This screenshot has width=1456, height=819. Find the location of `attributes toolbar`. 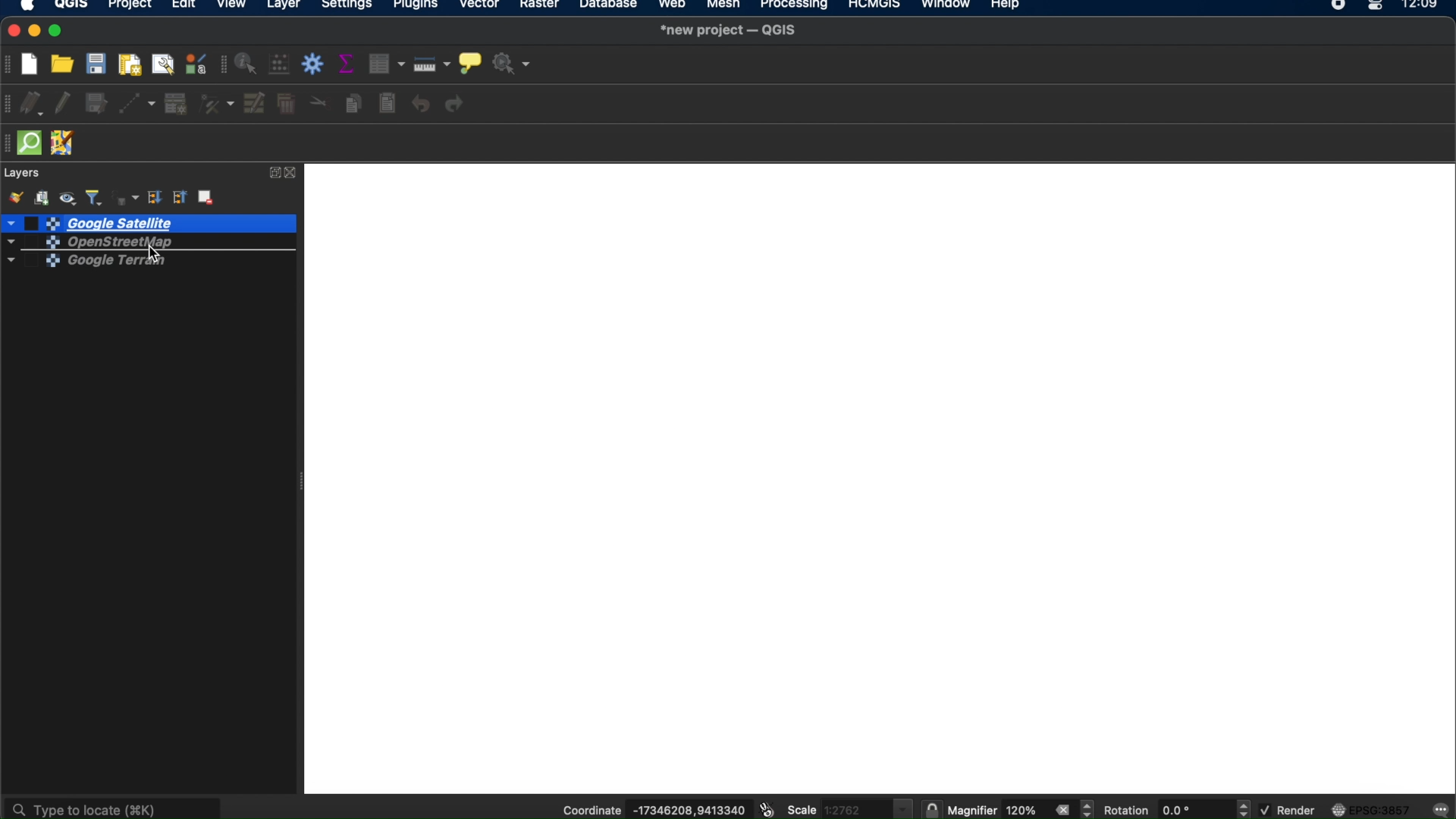

attributes toolbar is located at coordinates (221, 65).